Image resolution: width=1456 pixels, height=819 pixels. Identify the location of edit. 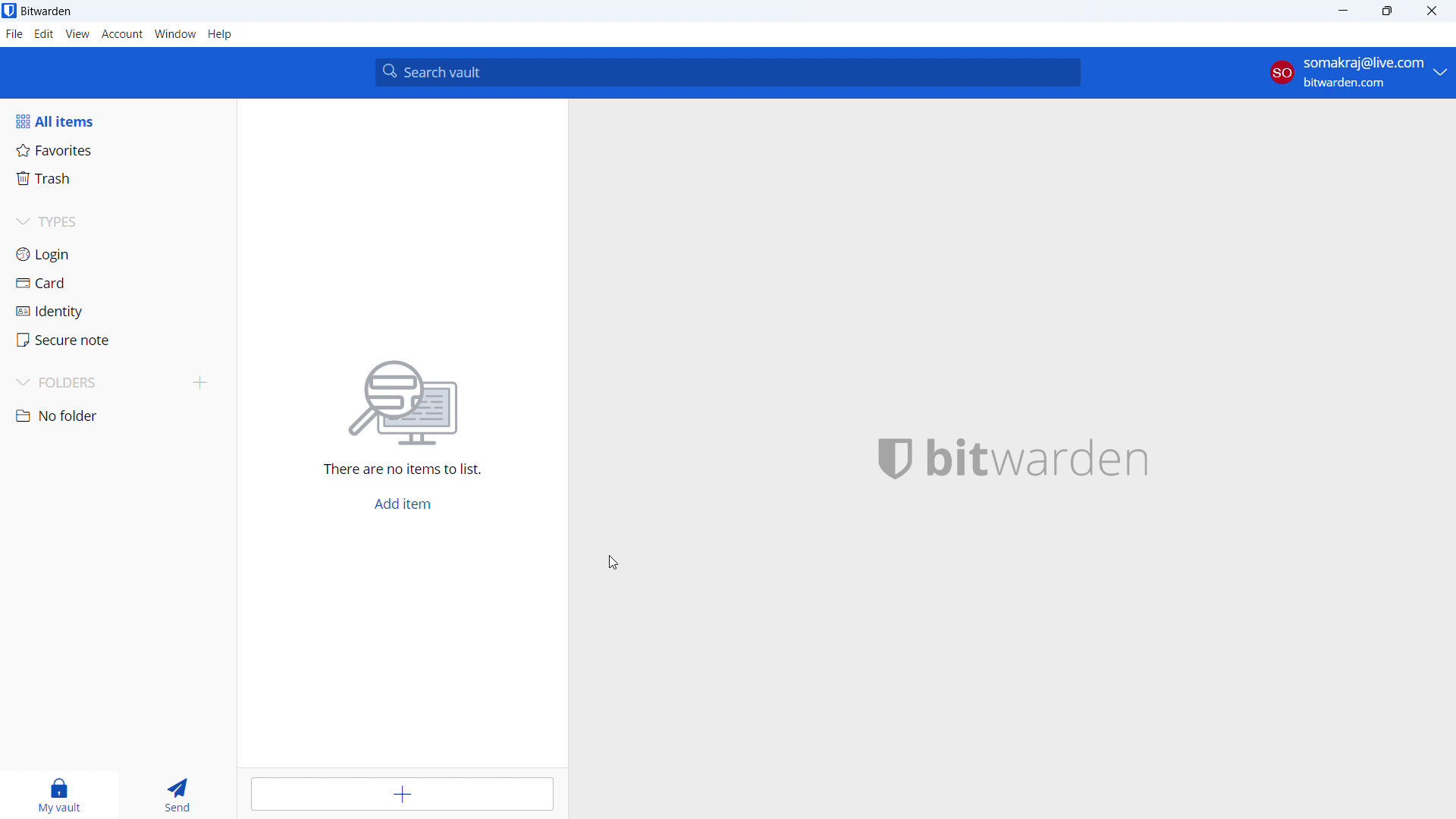
(44, 34).